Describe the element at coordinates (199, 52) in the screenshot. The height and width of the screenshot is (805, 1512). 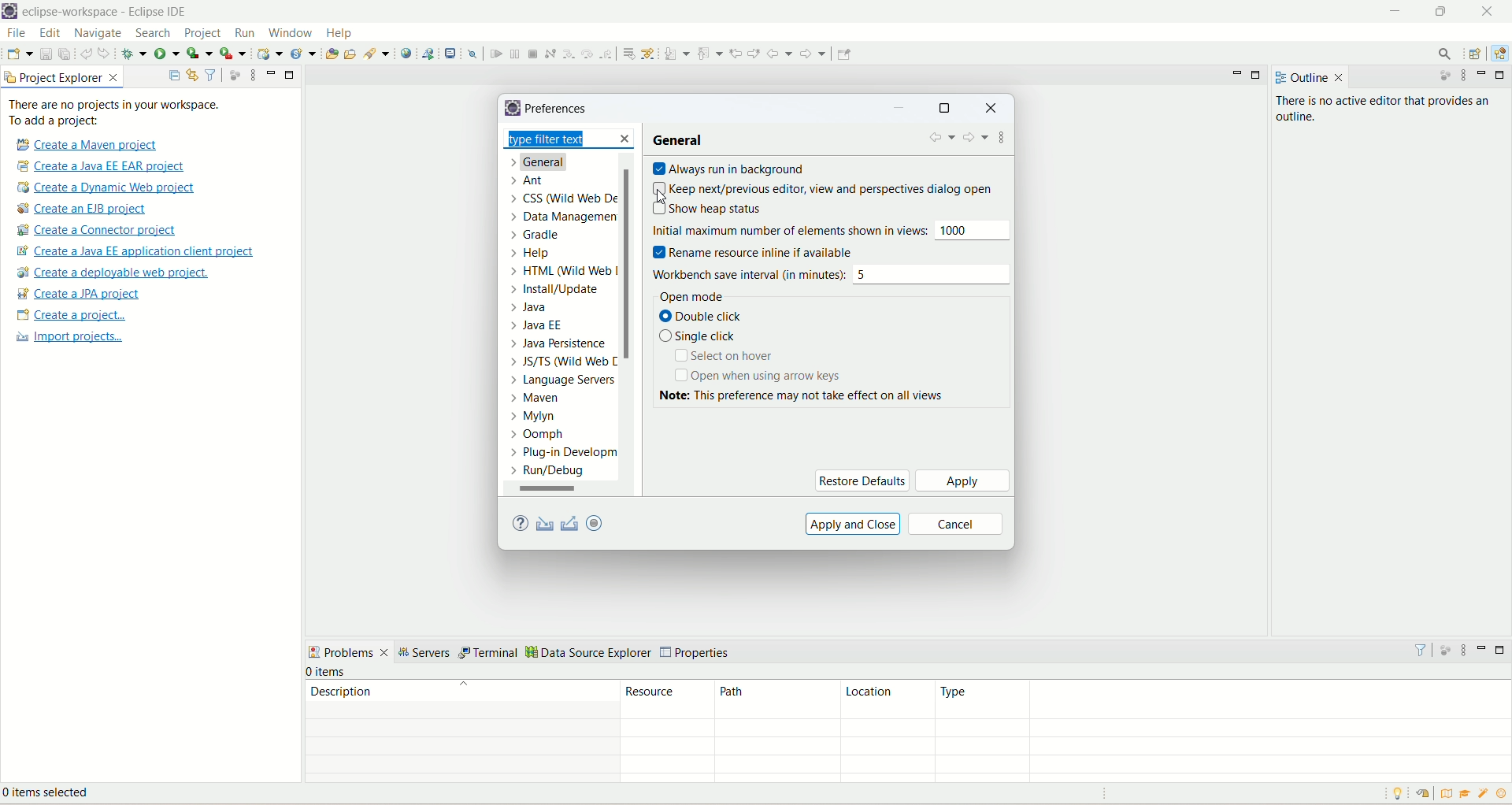
I see `coverage` at that location.